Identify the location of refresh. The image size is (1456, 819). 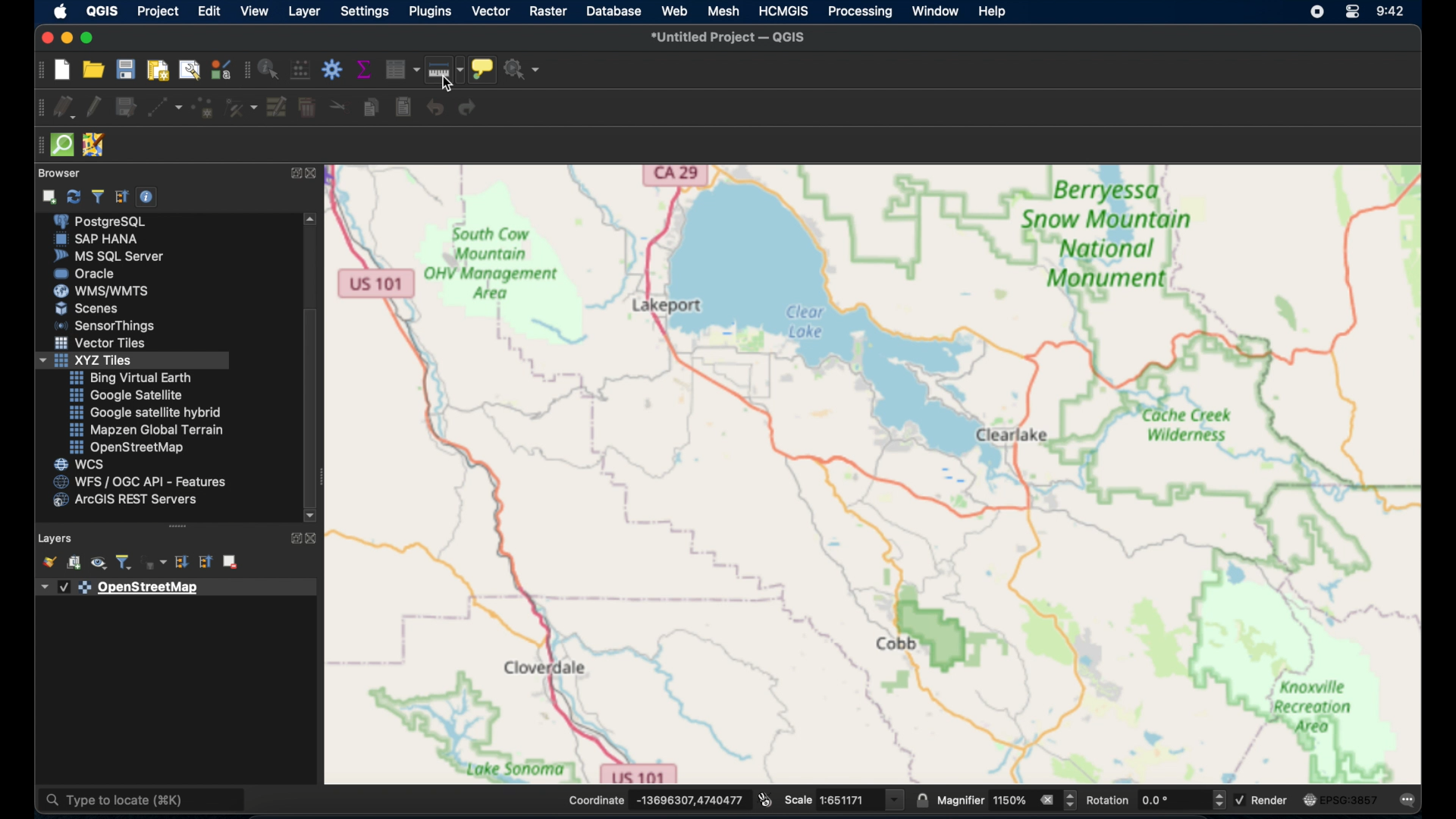
(72, 197).